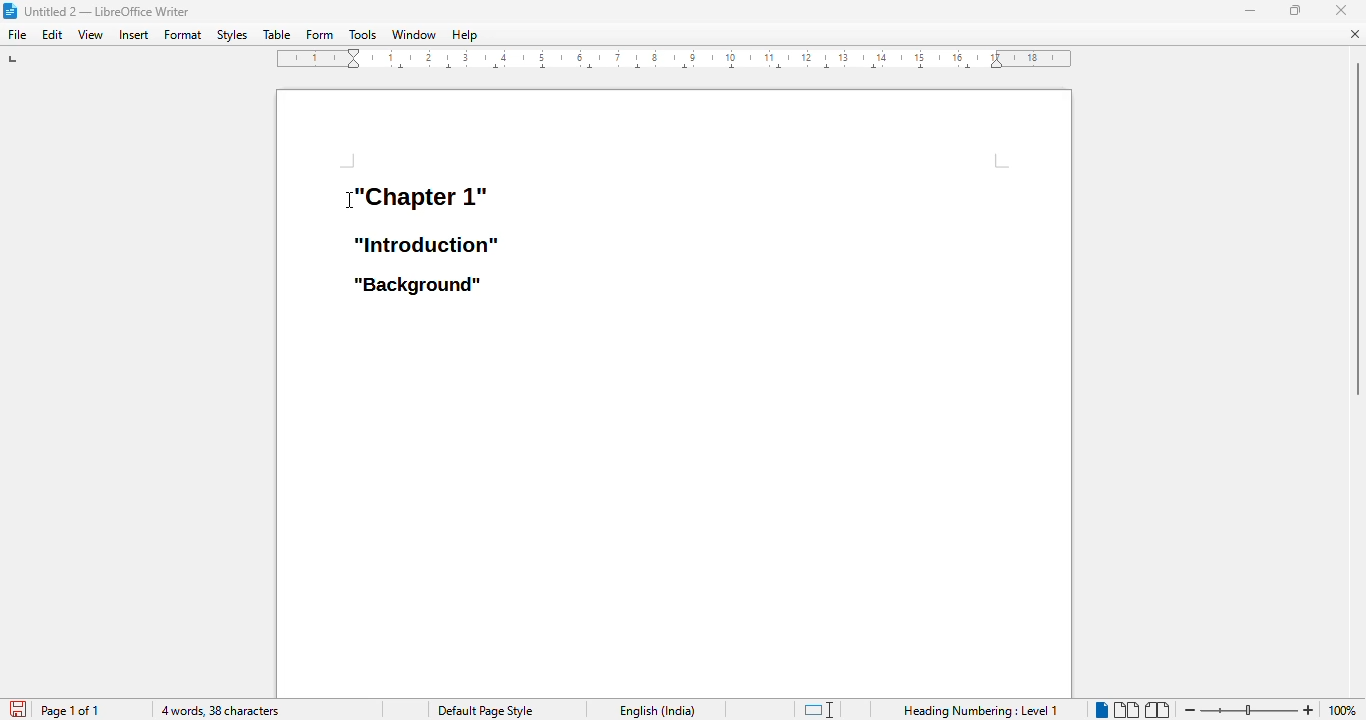 This screenshot has height=720, width=1366. What do you see at coordinates (1101, 710) in the screenshot?
I see `single-page view` at bounding box center [1101, 710].